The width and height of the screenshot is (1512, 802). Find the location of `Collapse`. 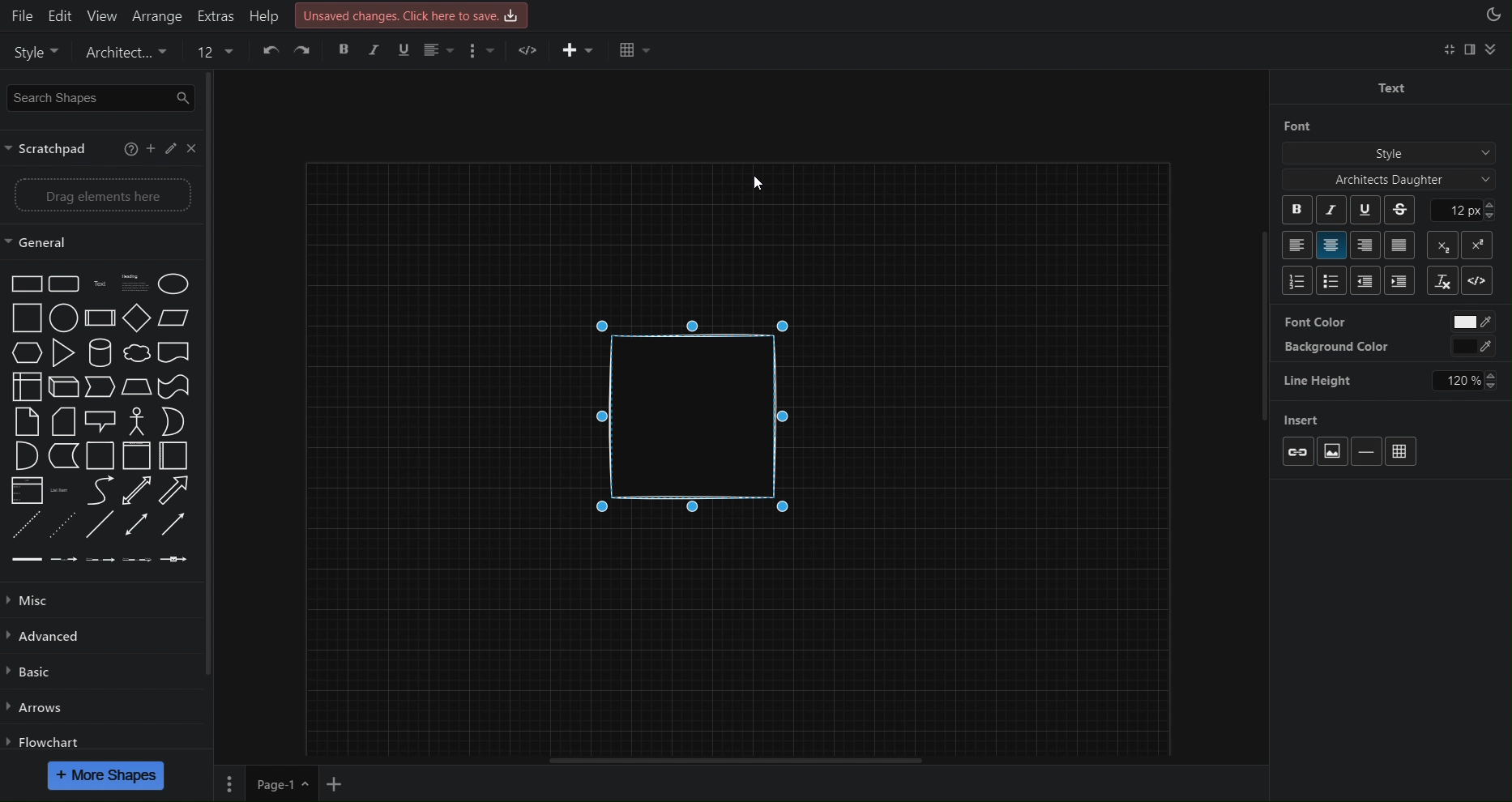

Collapse is located at coordinates (1500, 52).